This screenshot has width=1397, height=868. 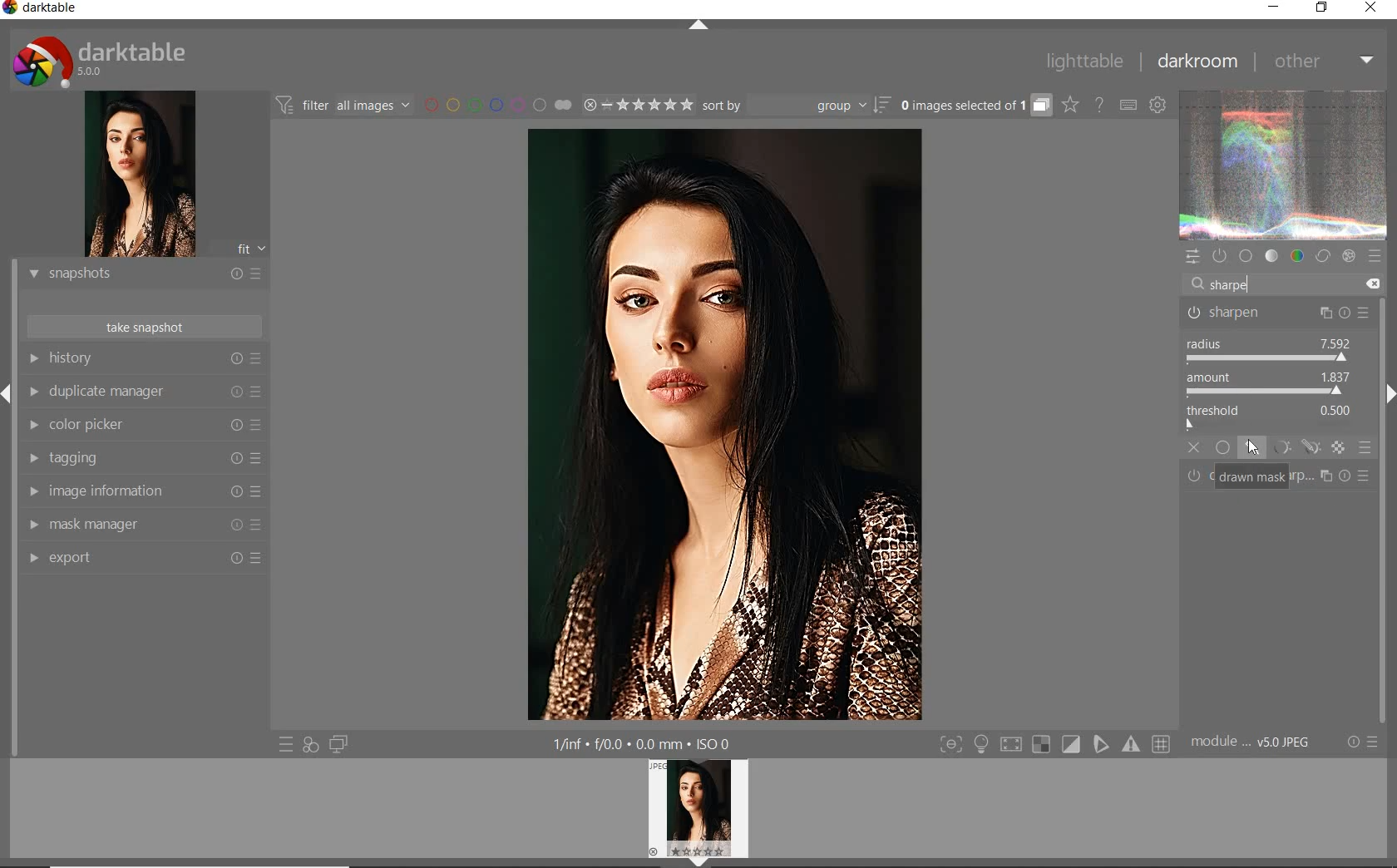 What do you see at coordinates (102, 61) in the screenshot?
I see `system logo` at bounding box center [102, 61].